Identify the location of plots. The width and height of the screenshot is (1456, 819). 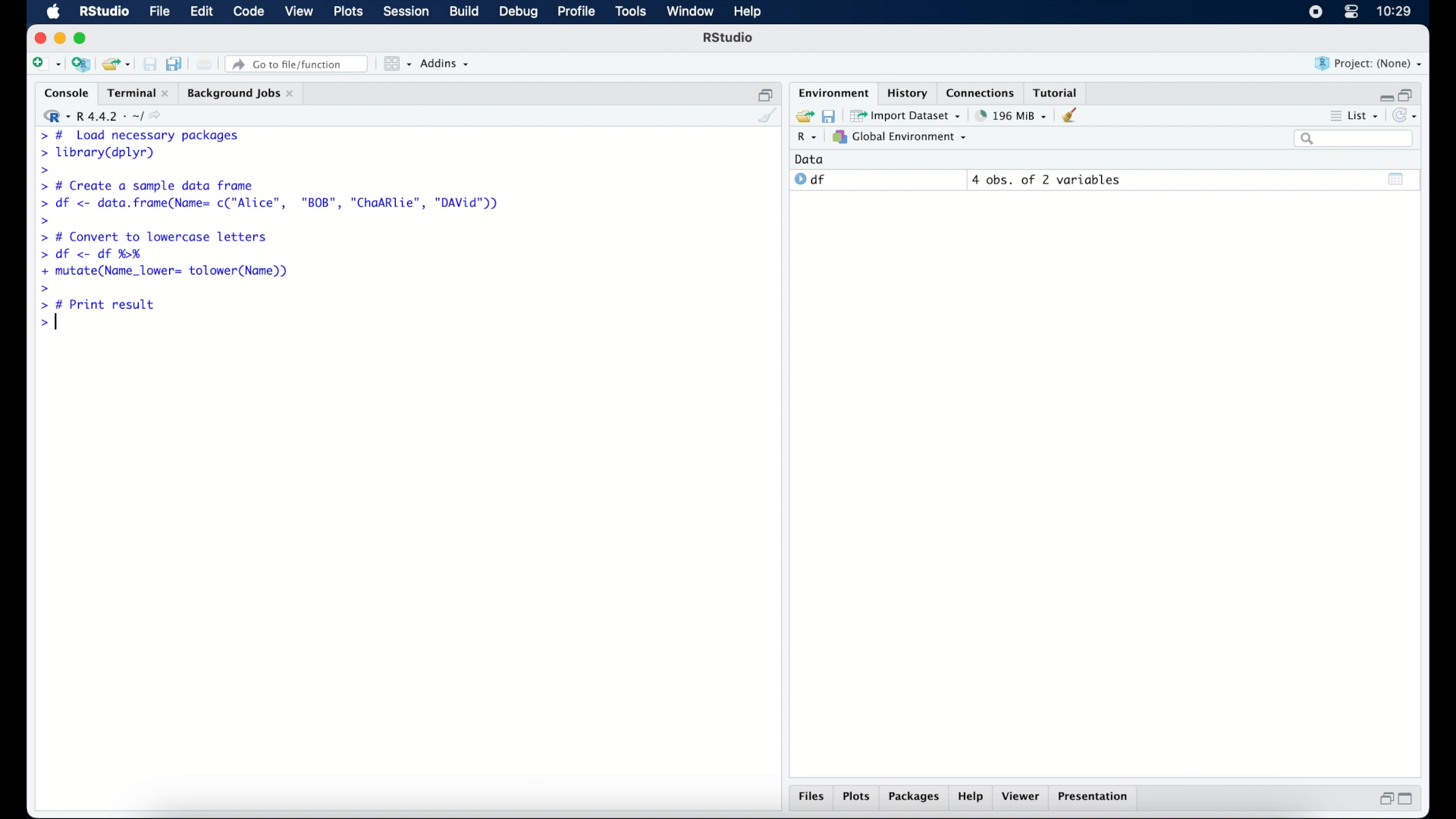
(350, 13).